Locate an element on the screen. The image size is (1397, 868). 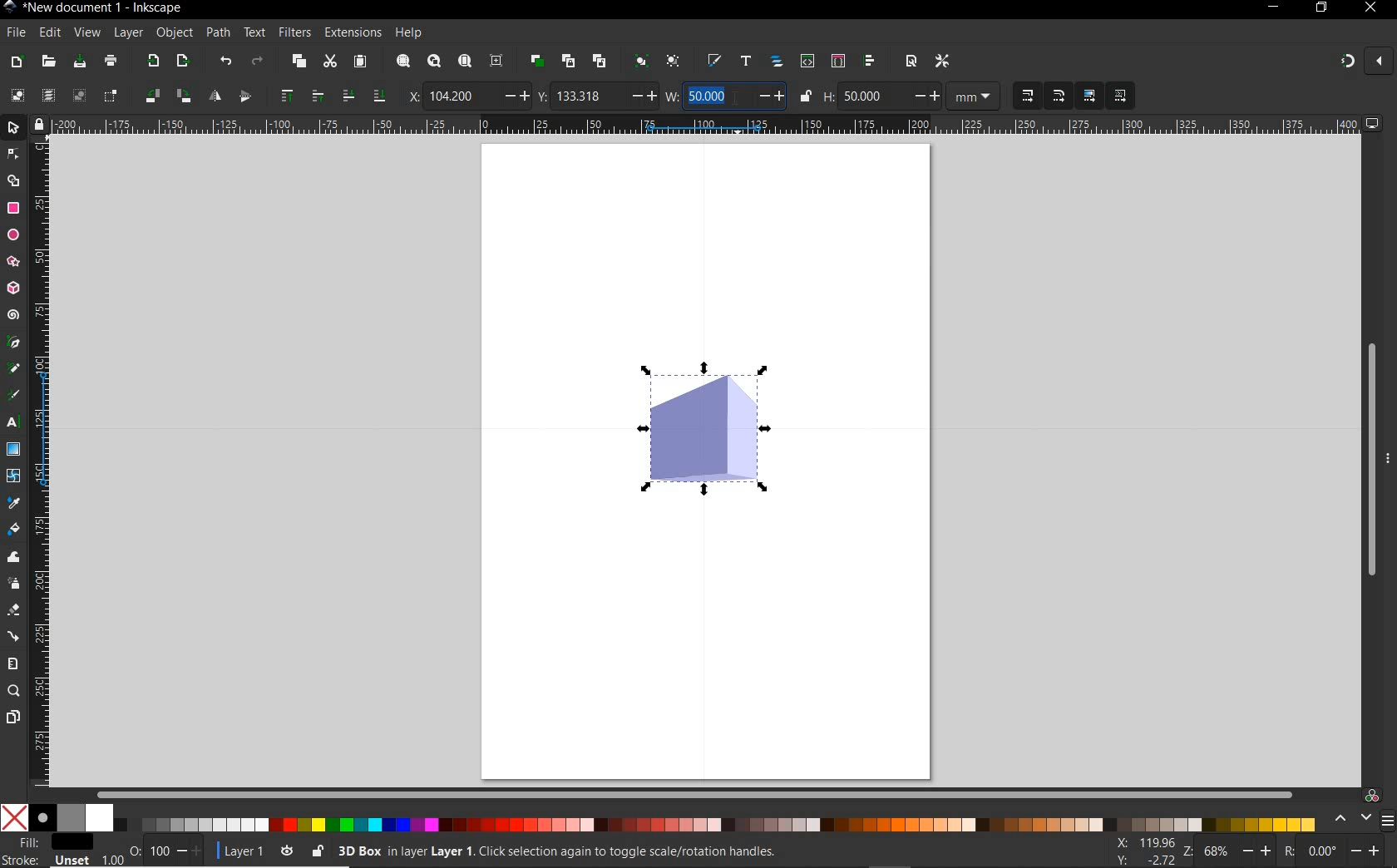
increase/decrease is located at coordinates (770, 96).